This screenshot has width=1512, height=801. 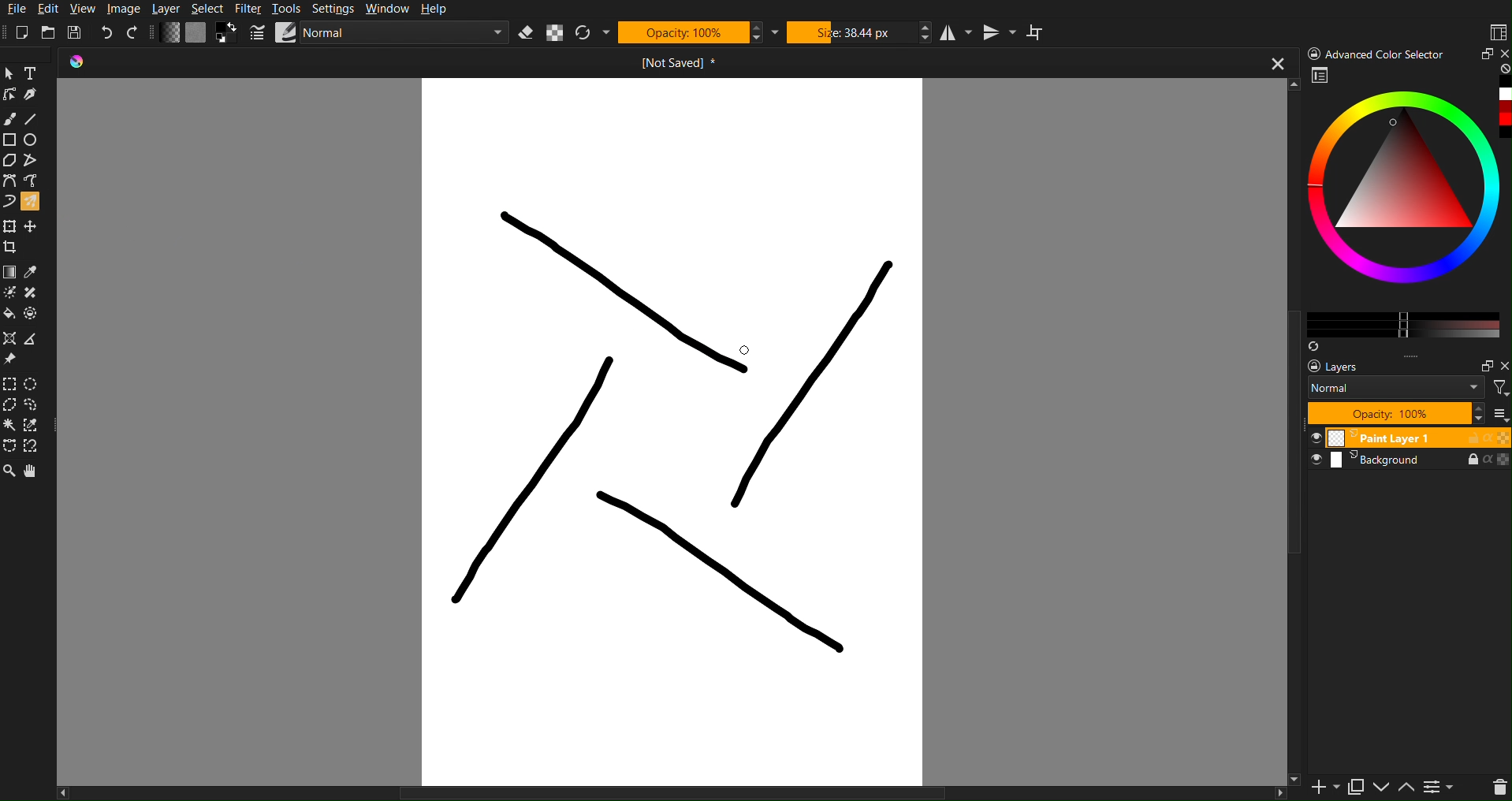 What do you see at coordinates (35, 317) in the screenshot?
I see `Color Pallet` at bounding box center [35, 317].